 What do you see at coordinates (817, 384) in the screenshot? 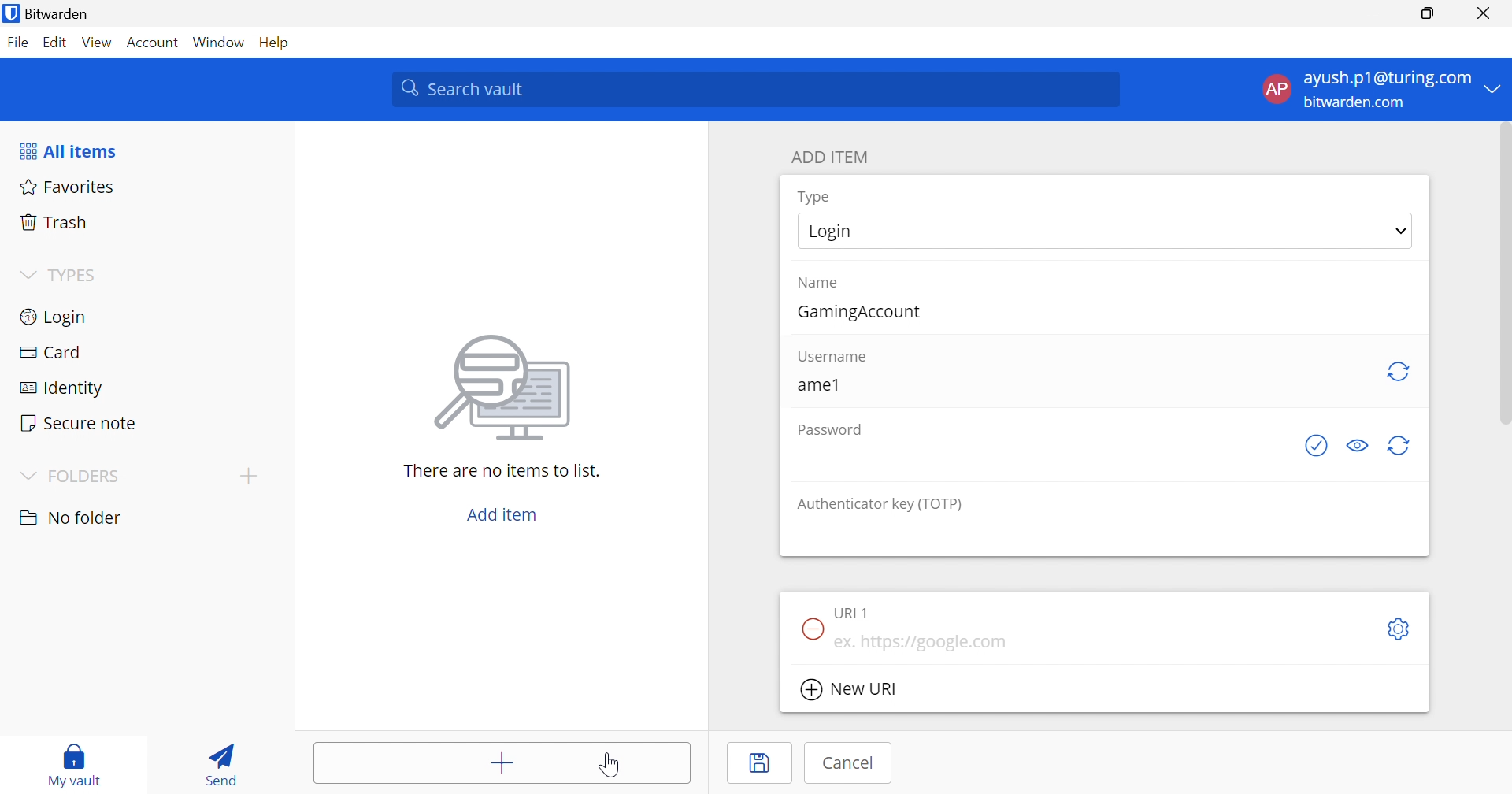
I see `ame1` at bounding box center [817, 384].